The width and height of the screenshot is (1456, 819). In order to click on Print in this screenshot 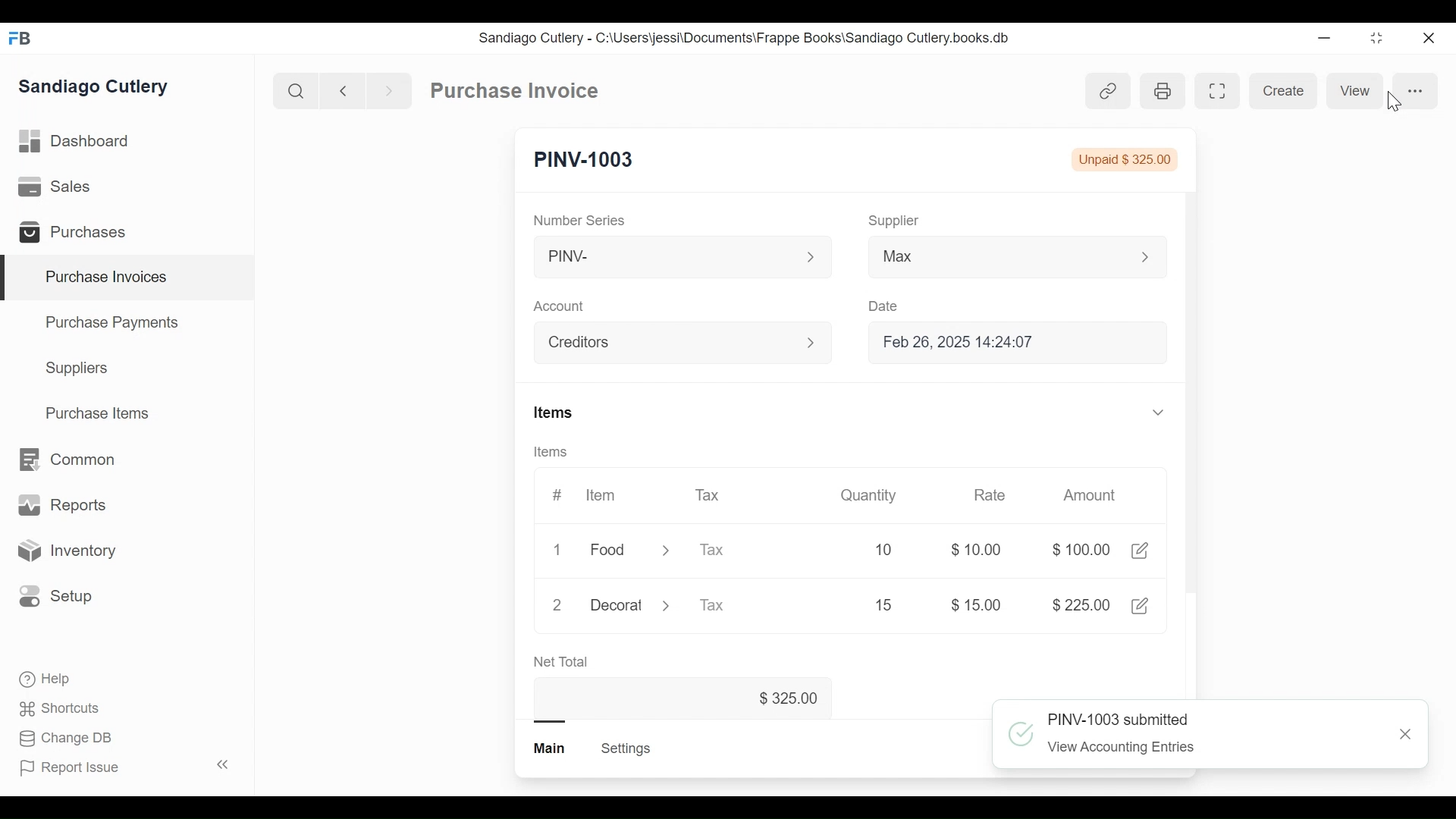, I will do `click(1162, 91)`.